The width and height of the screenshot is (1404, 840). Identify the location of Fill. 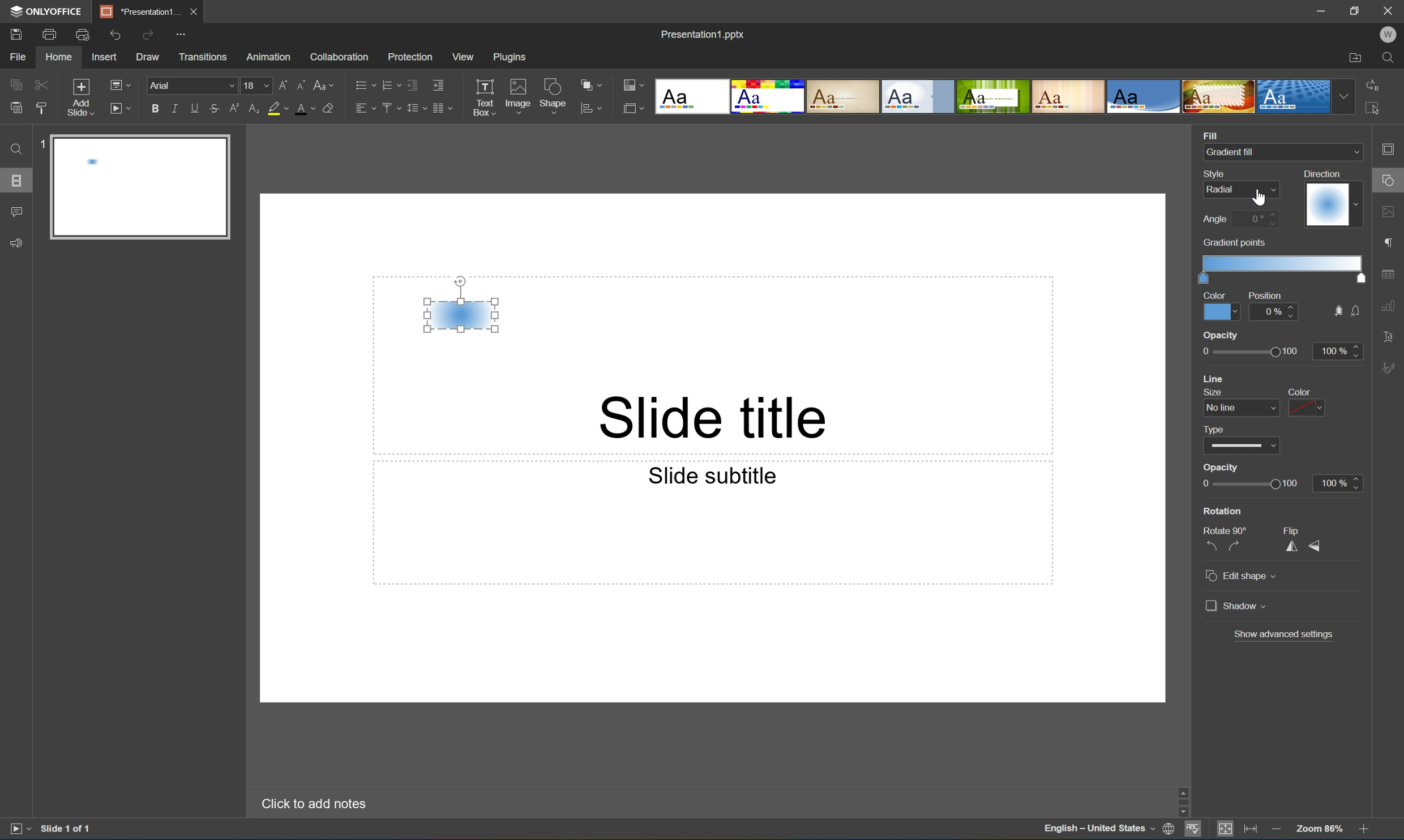
(1210, 134).